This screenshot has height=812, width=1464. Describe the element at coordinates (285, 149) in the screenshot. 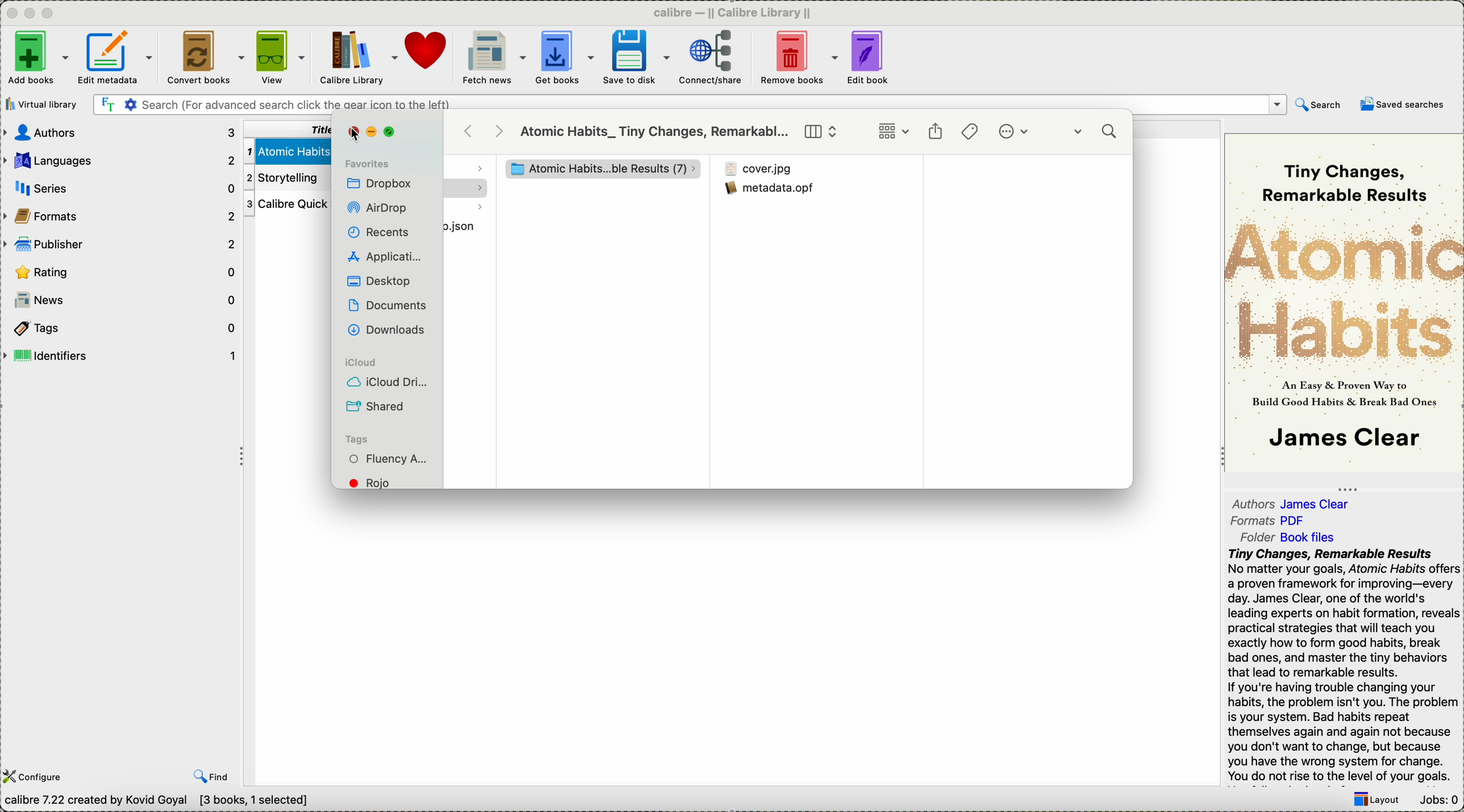

I see `click on first book` at that location.